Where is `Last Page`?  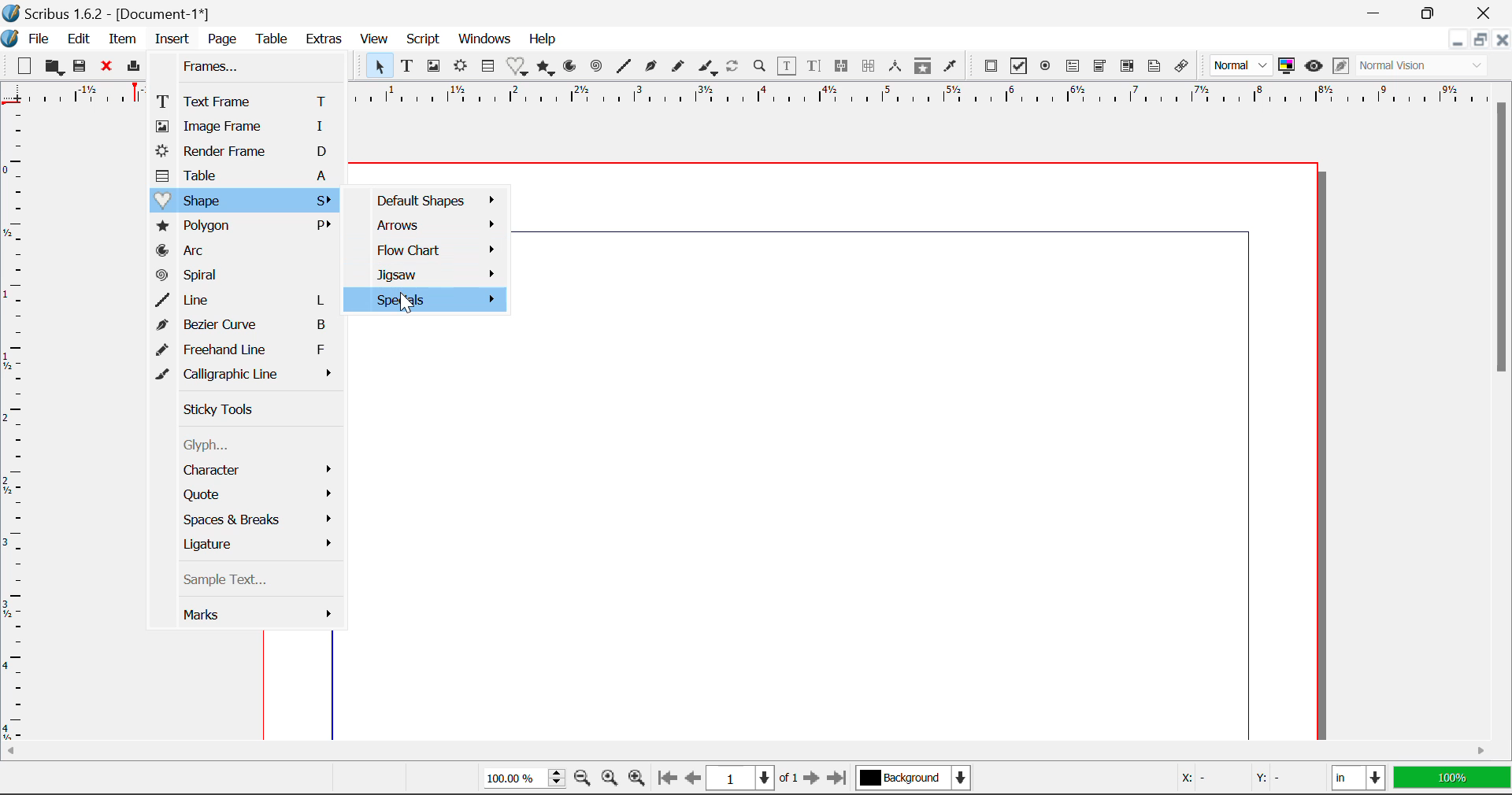
Last Page is located at coordinates (839, 778).